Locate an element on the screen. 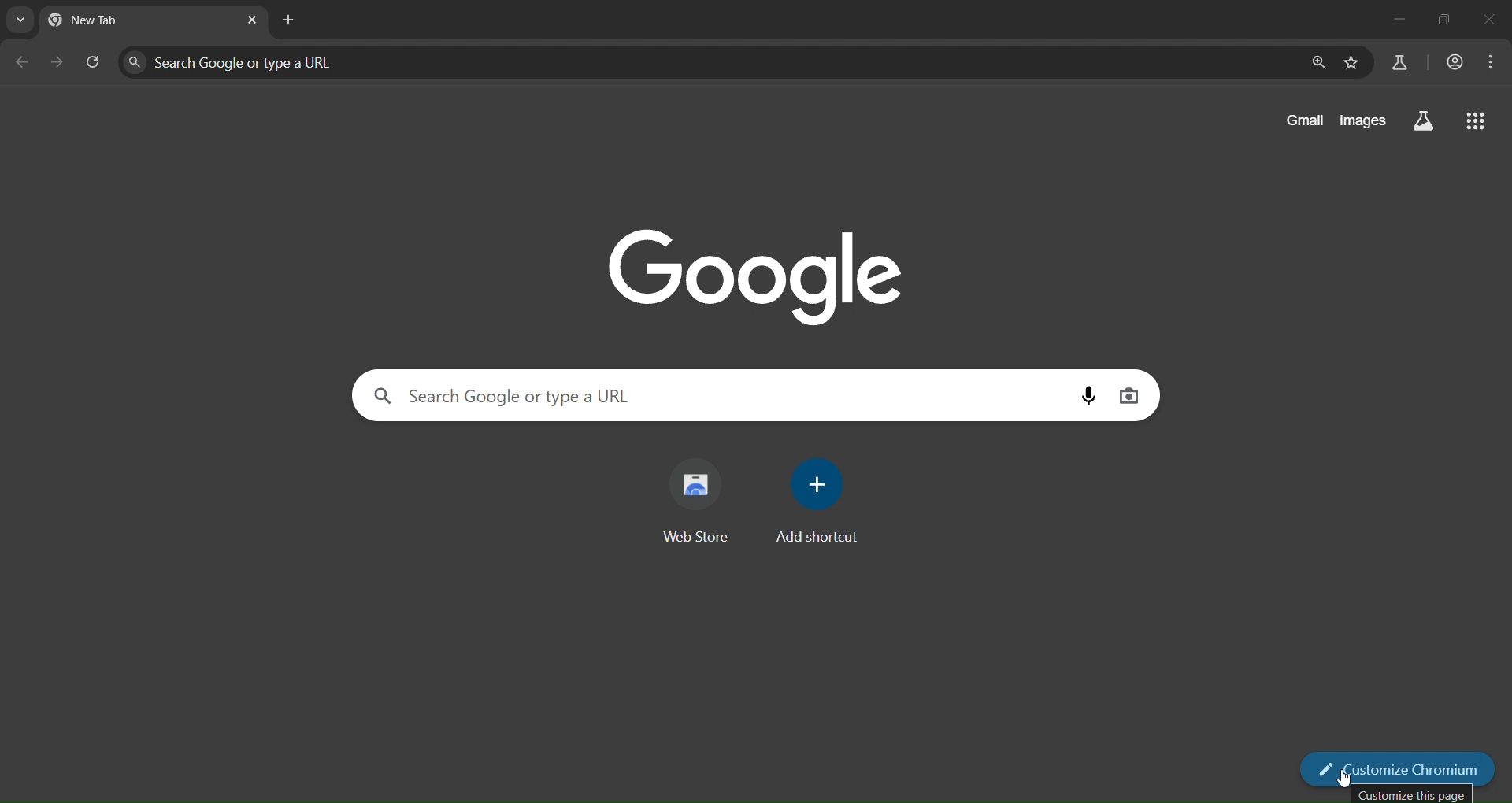 Image resolution: width=1512 pixels, height=803 pixels. go back one page is located at coordinates (22, 61).